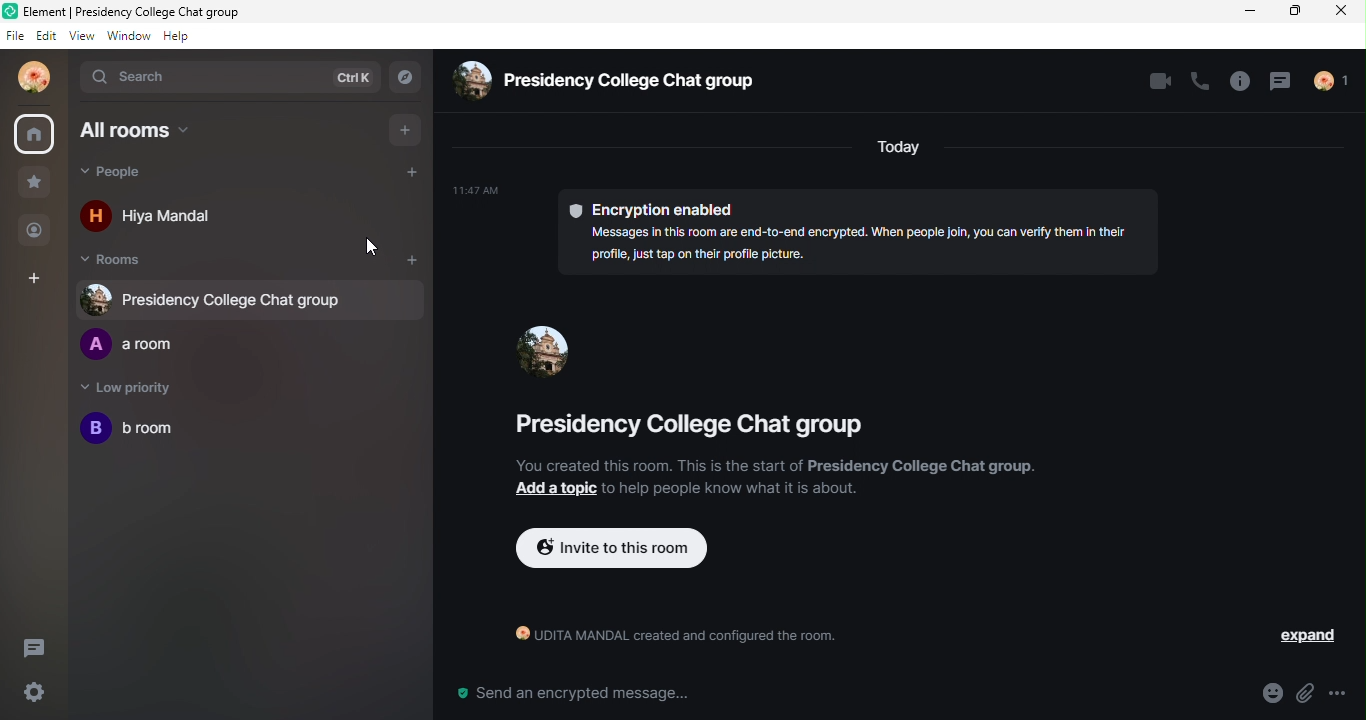 The width and height of the screenshot is (1366, 720). What do you see at coordinates (36, 83) in the screenshot?
I see `udita mandal` at bounding box center [36, 83].